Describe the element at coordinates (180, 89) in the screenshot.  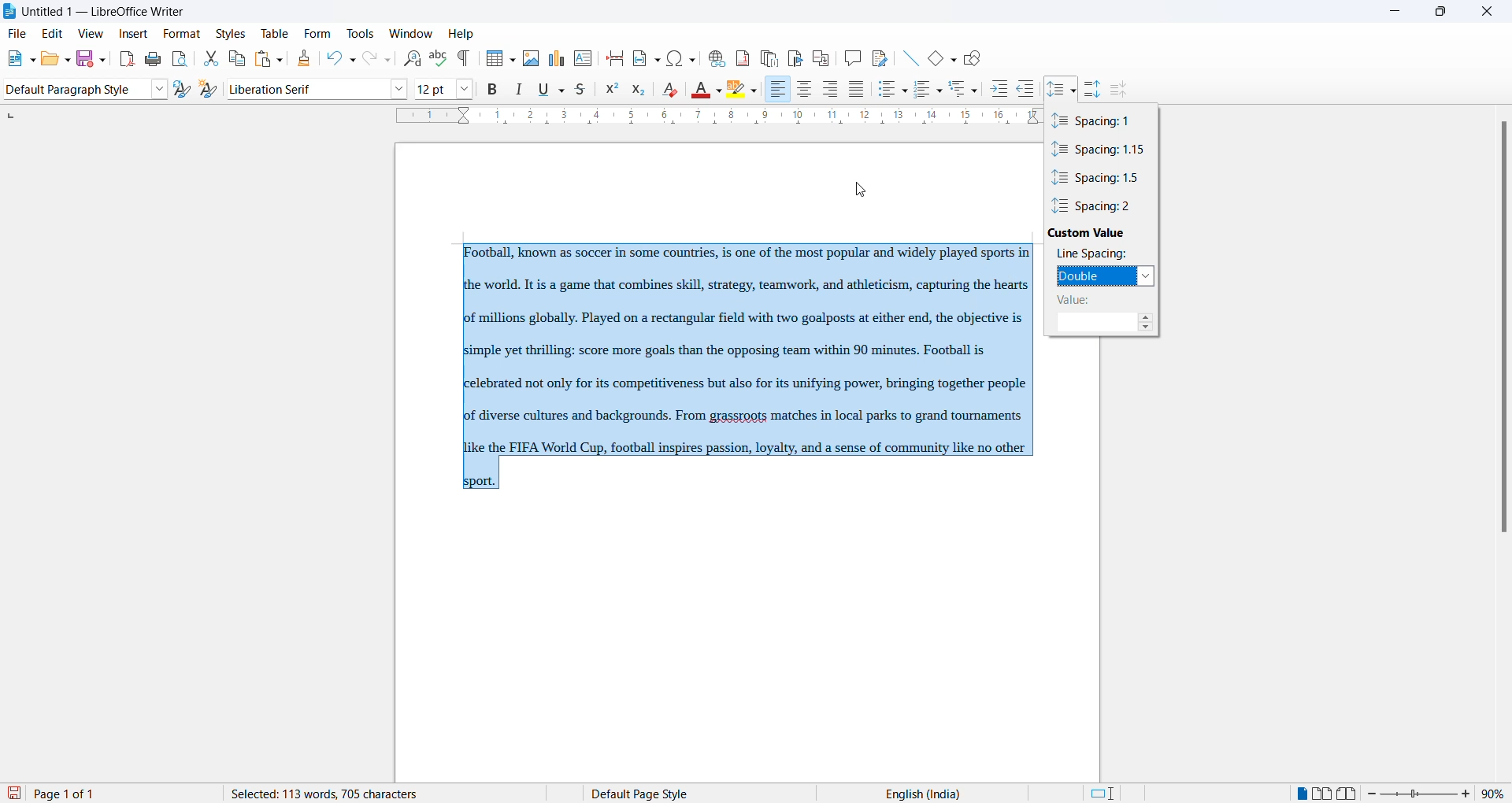
I see `update selected style` at that location.